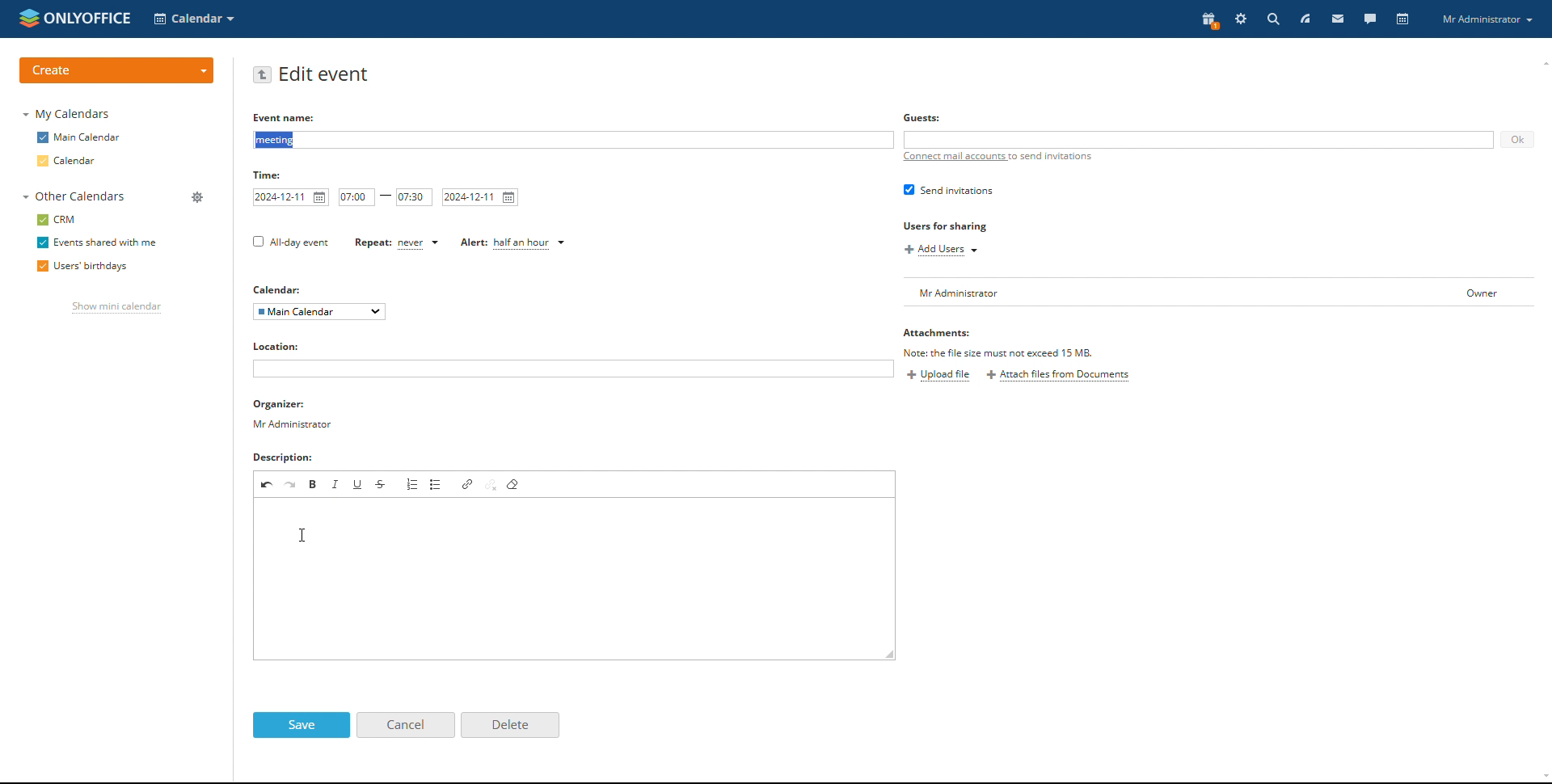 Image resolution: width=1552 pixels, height=784 pixels. Describe the element at coordinates (1339, 18) in the screenshot. I see `mail` at that location.